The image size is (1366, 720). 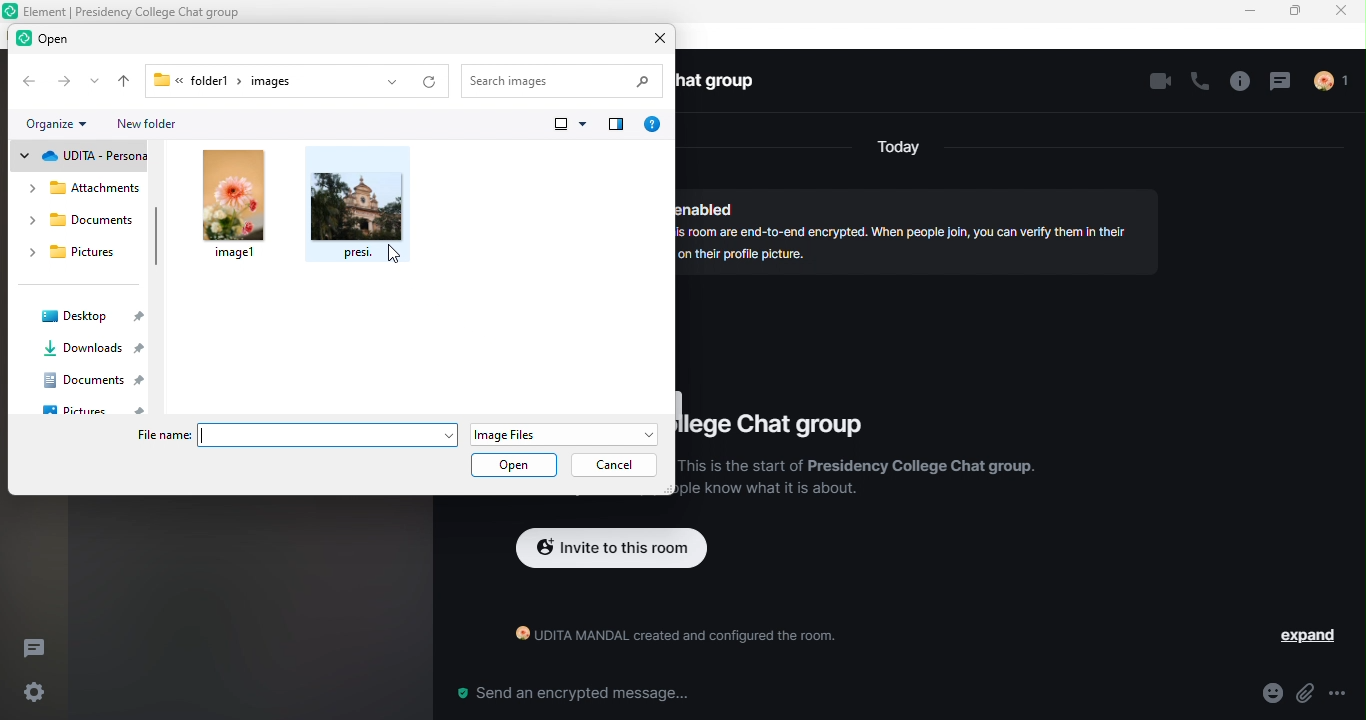 I want to click on refresh, so click(x=431, y=82).